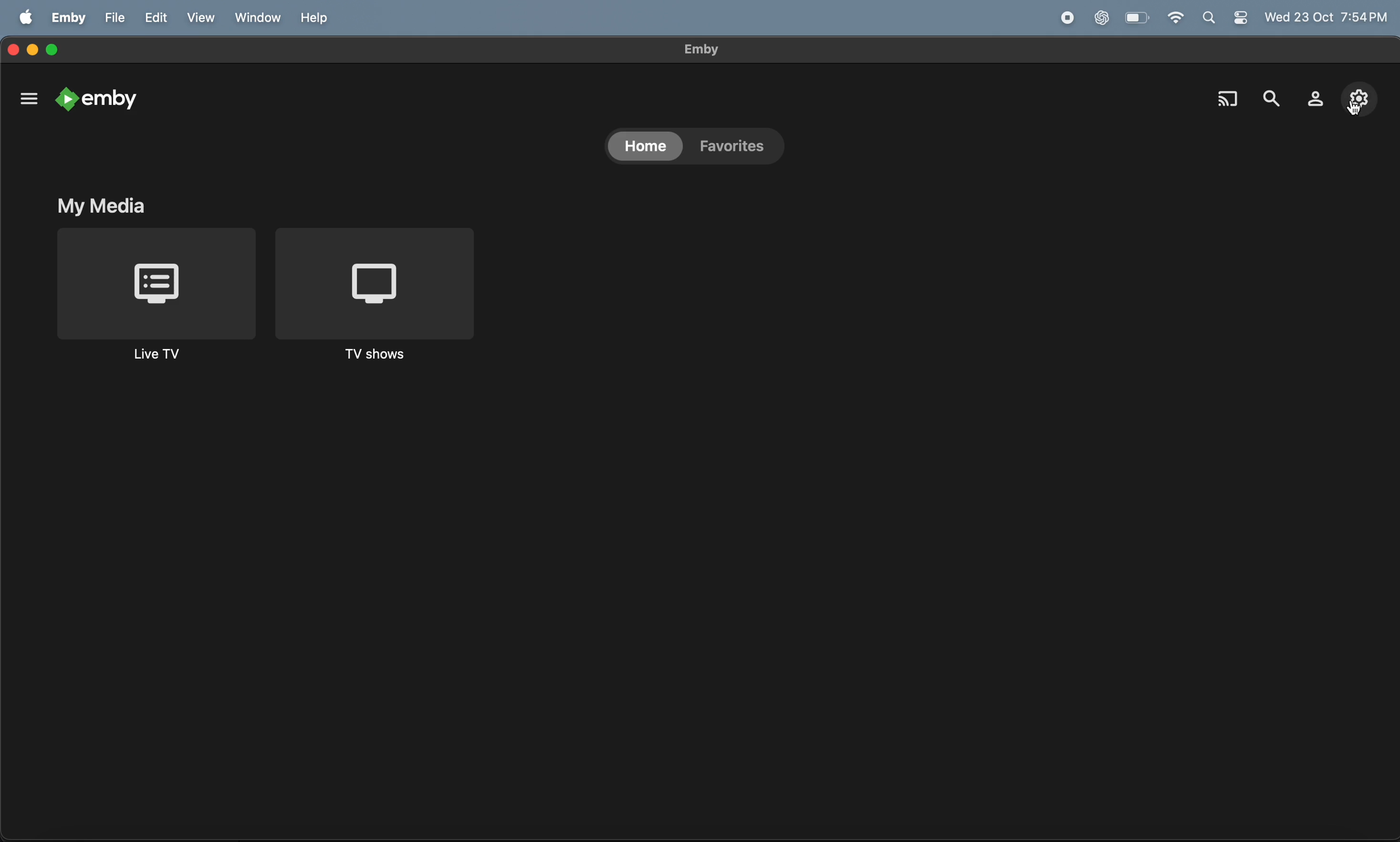 Image resolution: width=1400 pixels, height=842 pixels. I want to click on wifi, so click(1175, 19).